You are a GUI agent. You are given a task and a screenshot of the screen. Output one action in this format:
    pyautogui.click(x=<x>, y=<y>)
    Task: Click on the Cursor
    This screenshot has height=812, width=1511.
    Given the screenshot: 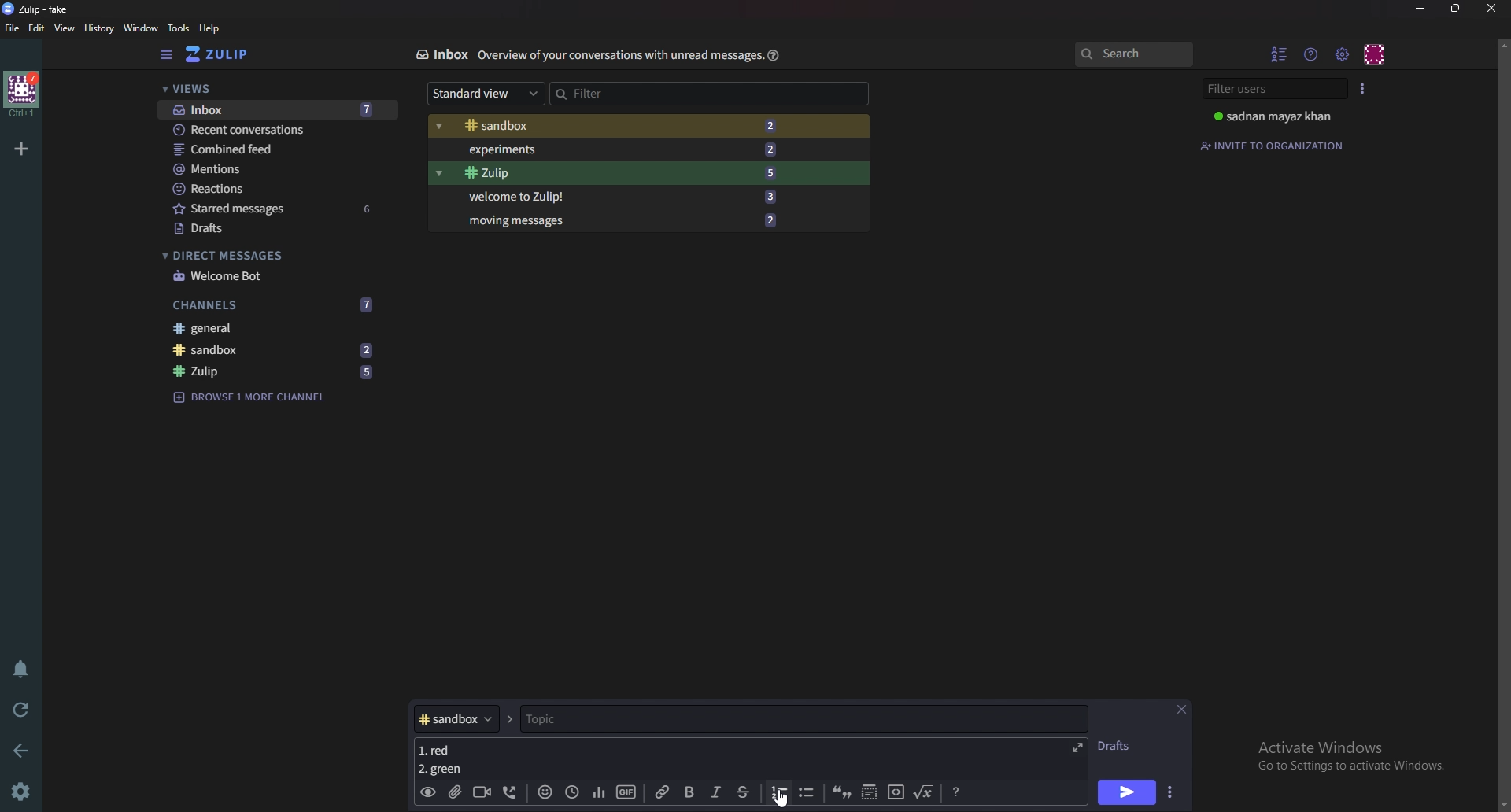 What is the action you would take?
    pyautogui.click(x=784, y=799)
    